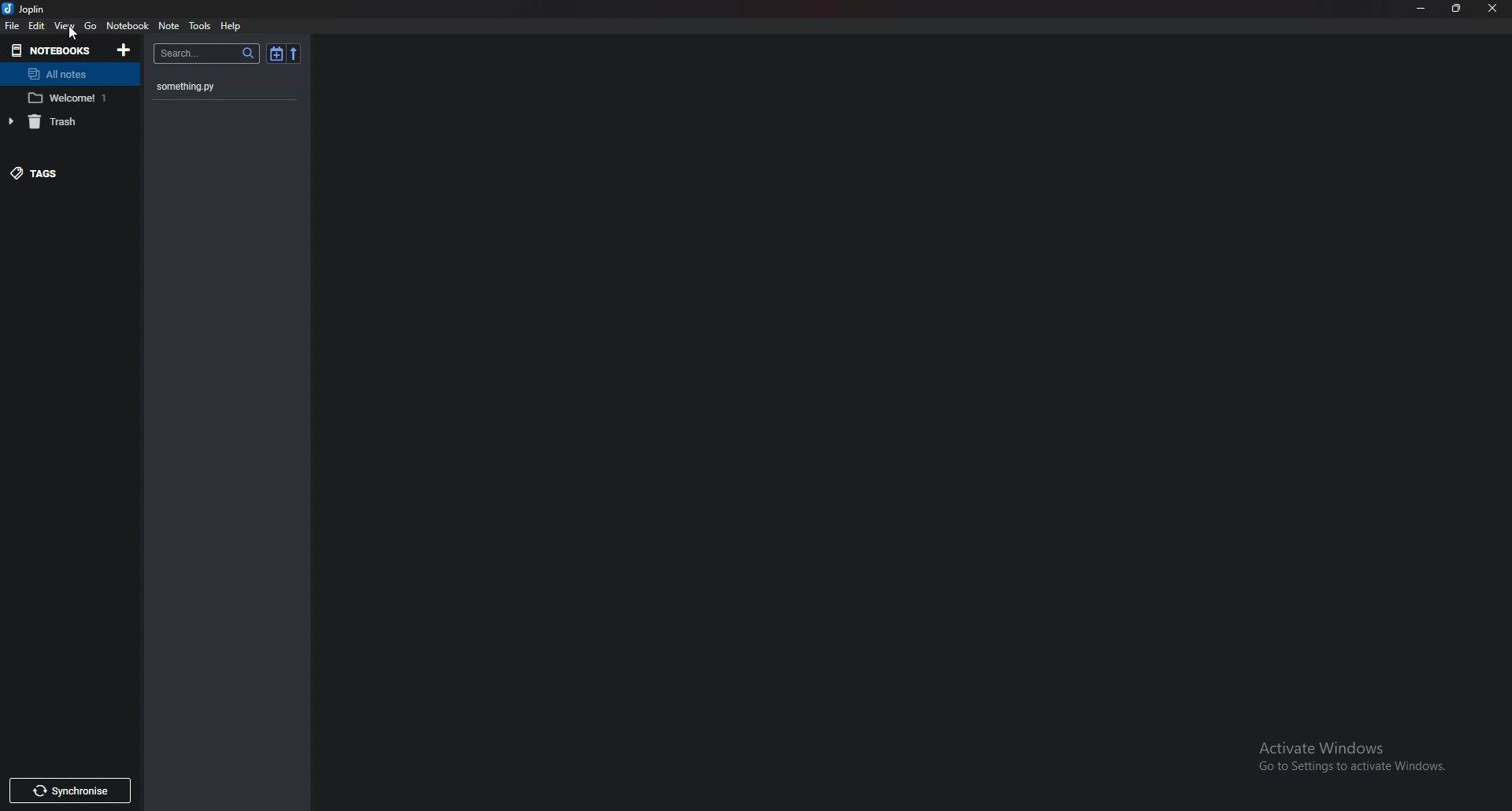 This screenshot has width=1512, height=811. Describe the element at coordinates (128, 27) in the screenshot. I see `Notebook` at that location.